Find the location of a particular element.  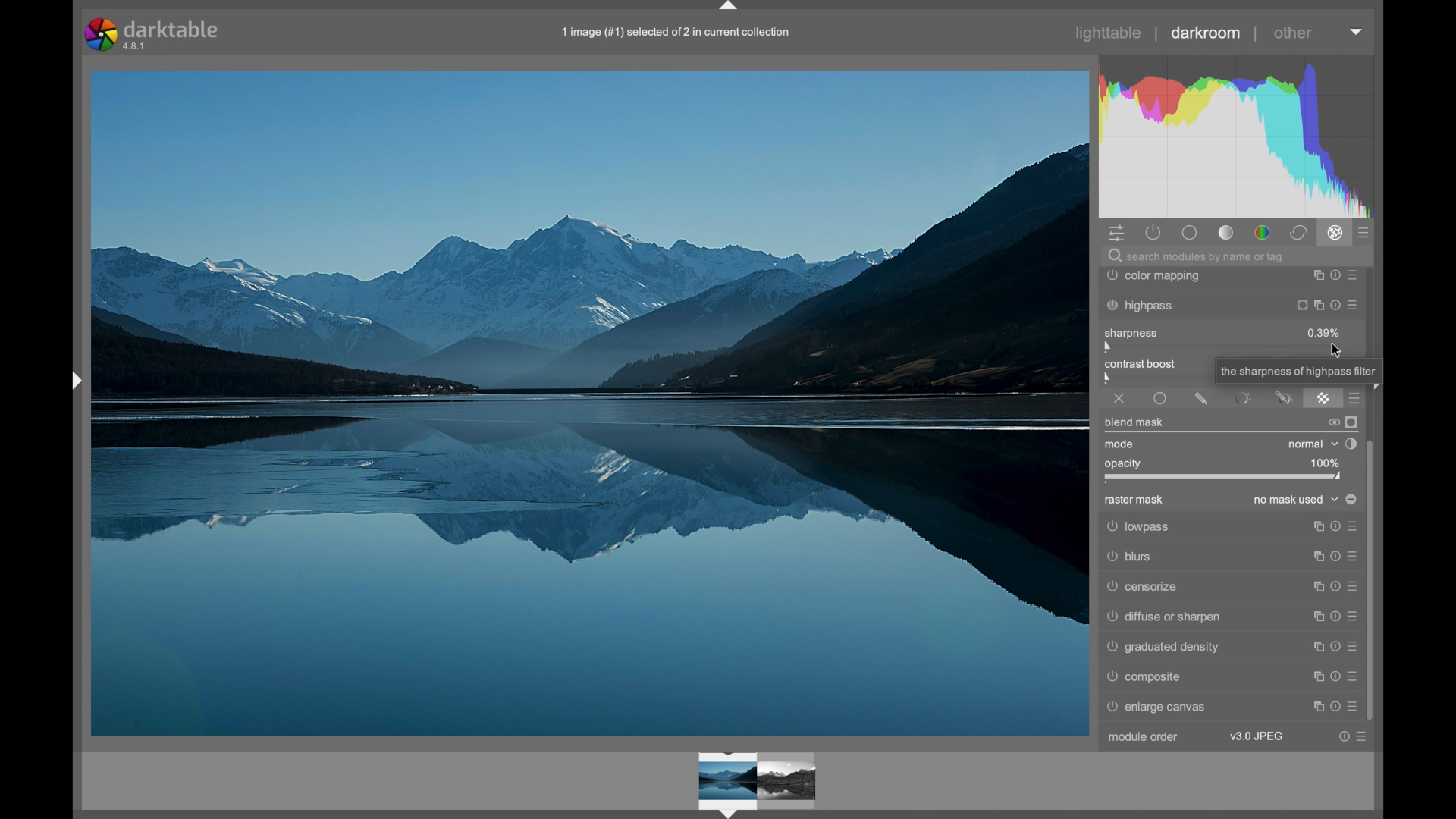

other is located at coordinates (1292, 33).